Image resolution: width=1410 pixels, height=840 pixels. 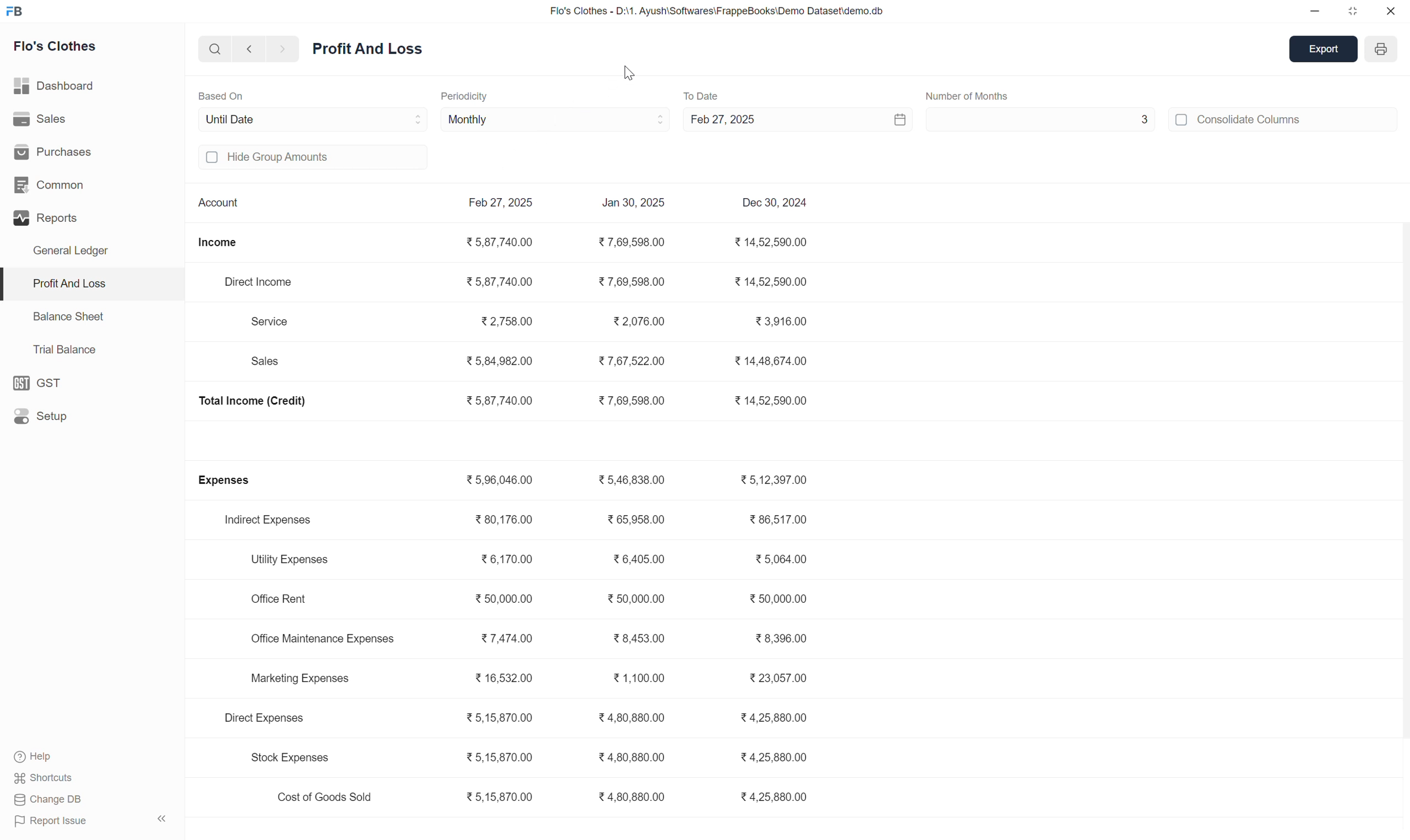 I want to click on Office Maintenance Expenses, so click(x=318, y=637).